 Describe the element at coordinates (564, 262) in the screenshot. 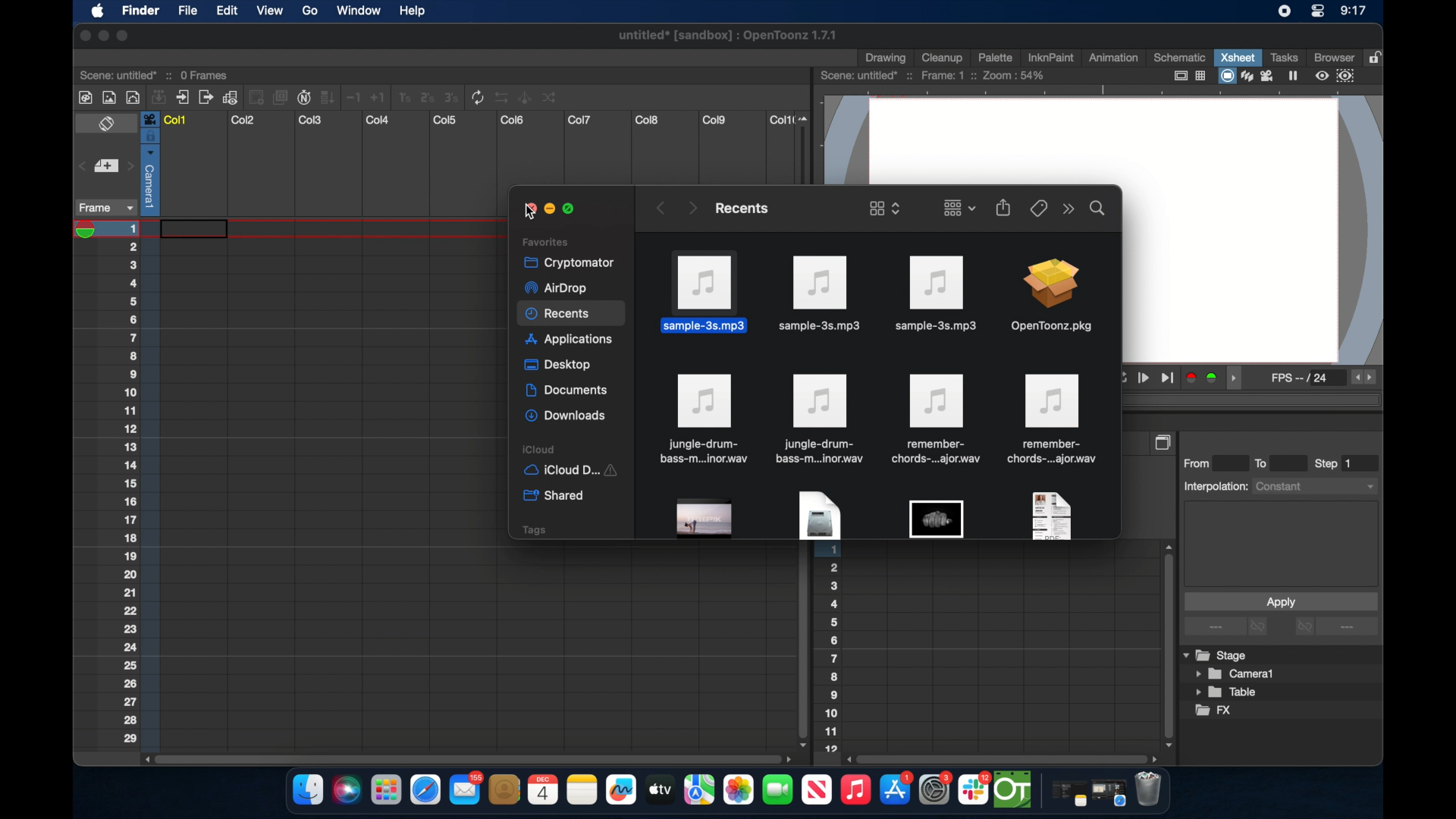

I see `cryptomator` at that location.